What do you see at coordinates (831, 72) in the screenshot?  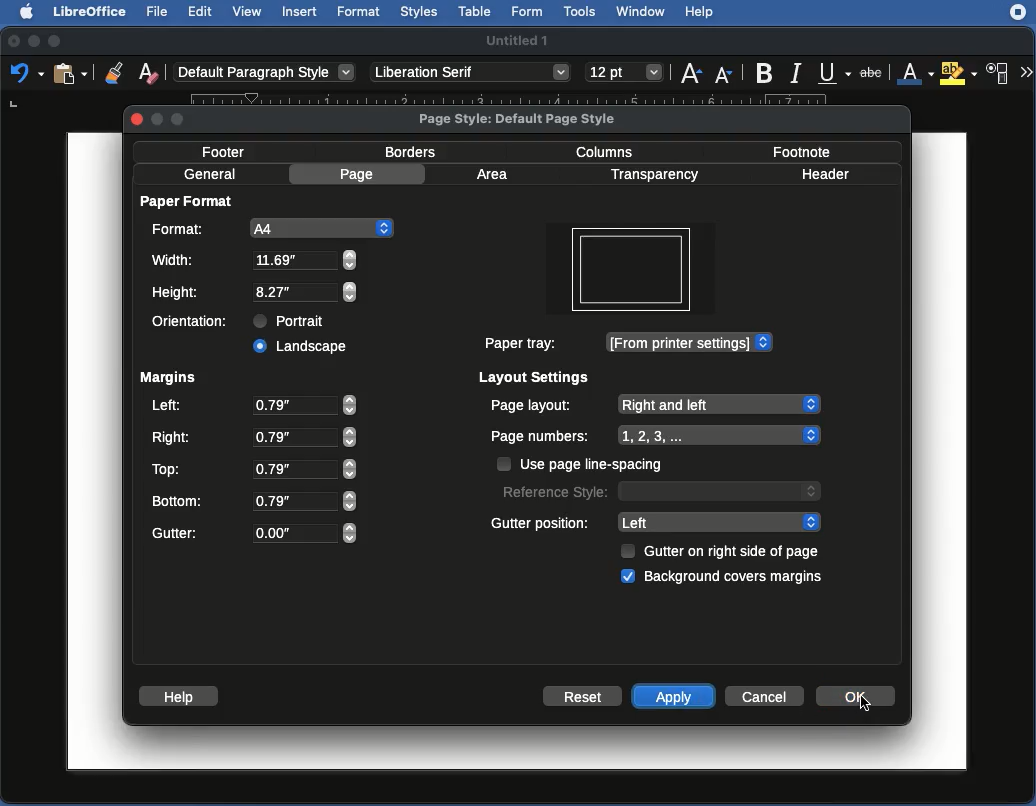 I see `Underline` at bounding box center [831, 72].